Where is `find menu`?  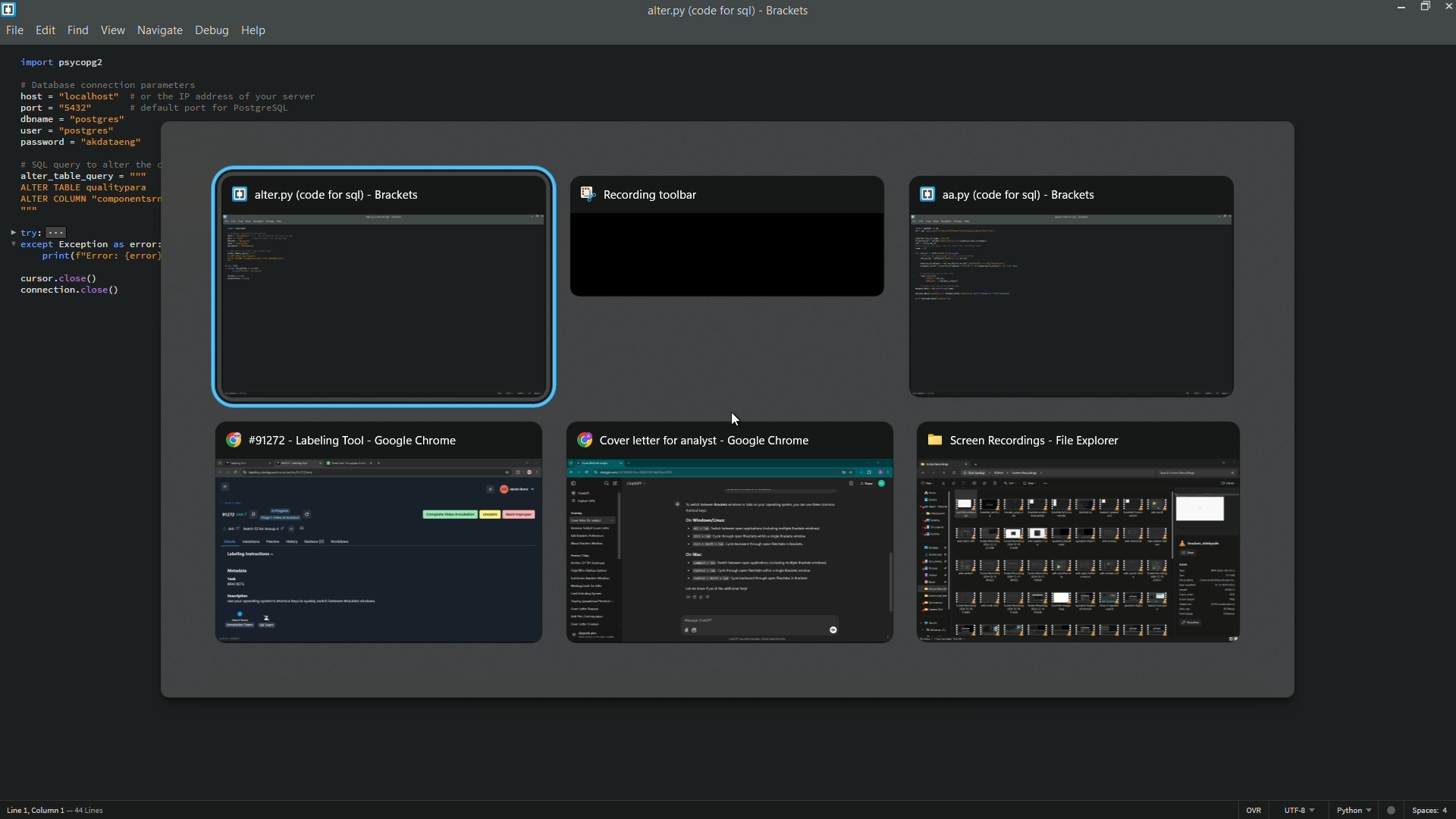
find menu is located at coordinates (76, 32).